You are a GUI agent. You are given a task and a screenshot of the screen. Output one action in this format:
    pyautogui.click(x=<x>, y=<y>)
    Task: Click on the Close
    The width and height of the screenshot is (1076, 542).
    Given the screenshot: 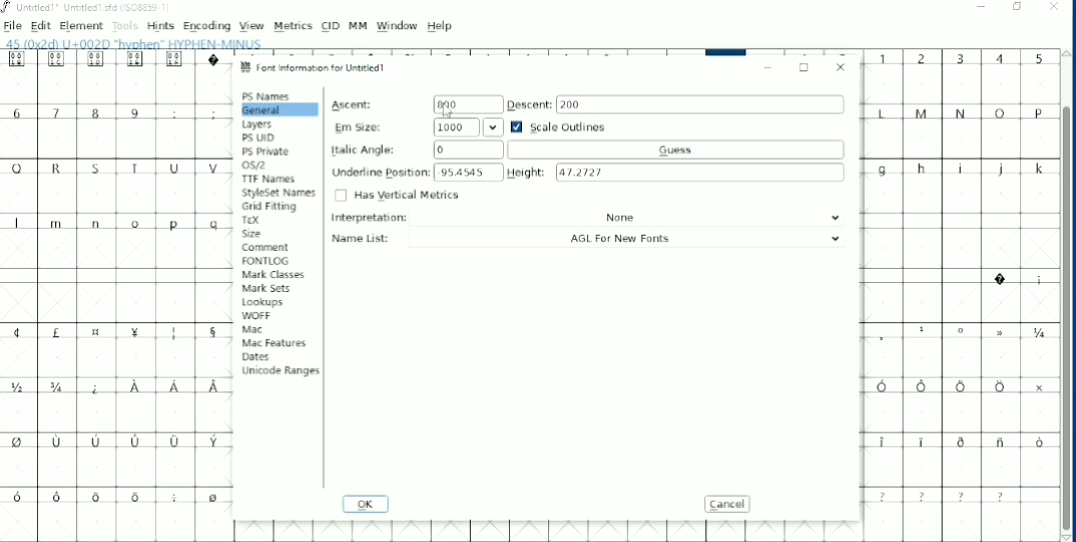 What is the action you would take?
    pyautogui.click(x=1054, y=9)
    